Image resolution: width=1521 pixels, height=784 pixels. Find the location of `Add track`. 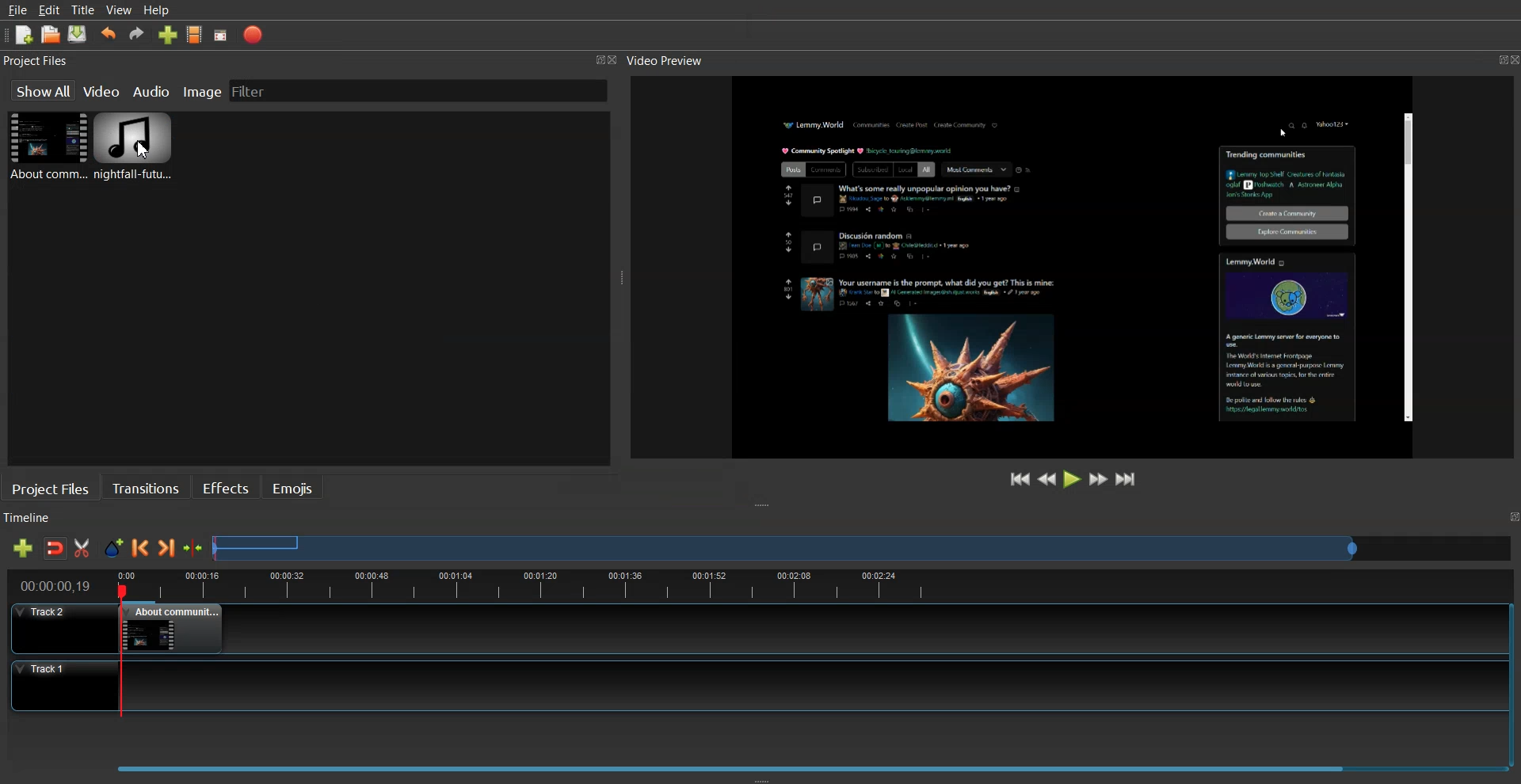

Add track is located at coordinates (22, 548).